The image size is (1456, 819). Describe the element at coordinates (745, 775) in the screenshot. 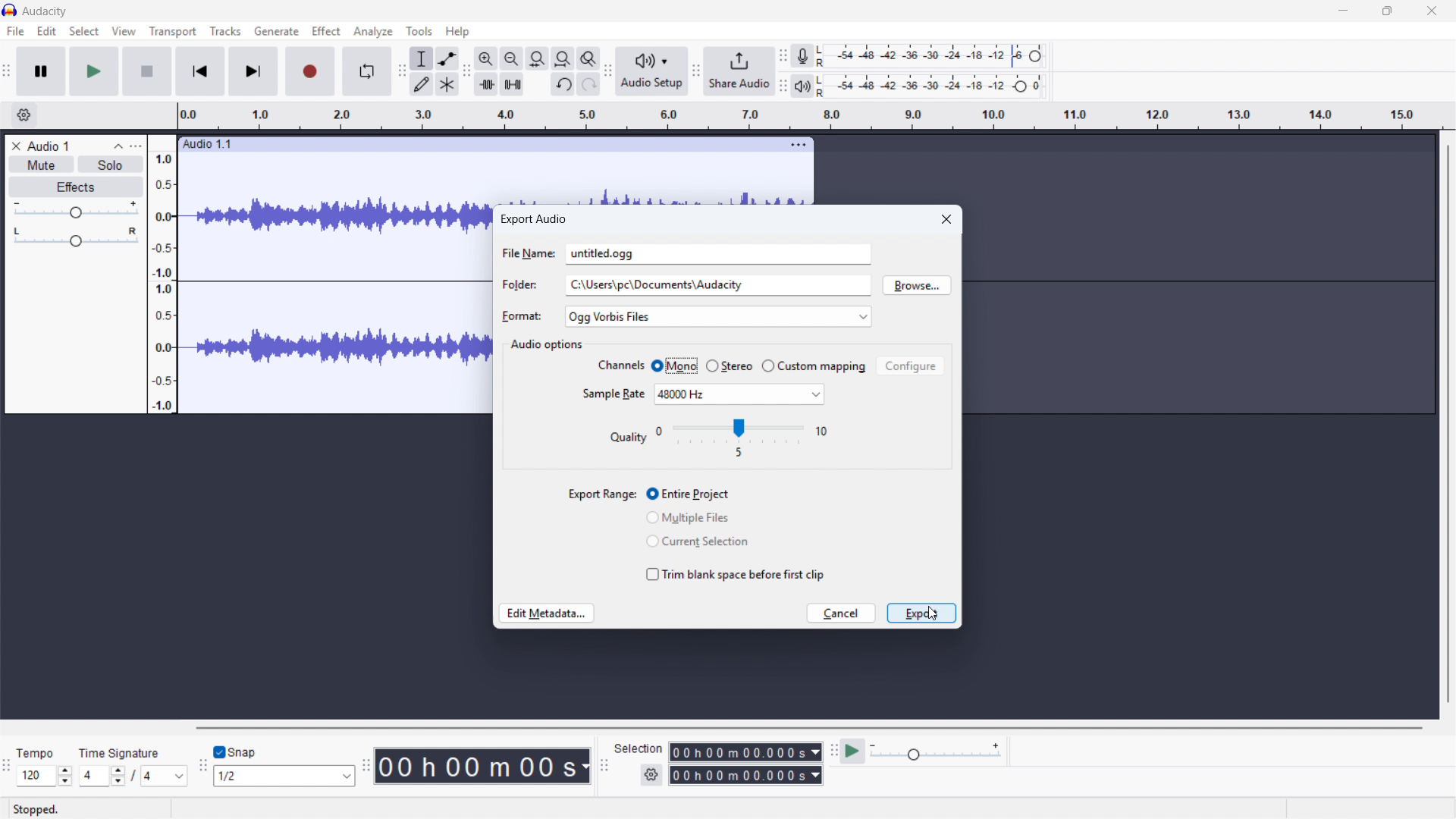

I see `Selection end time ` at that location.